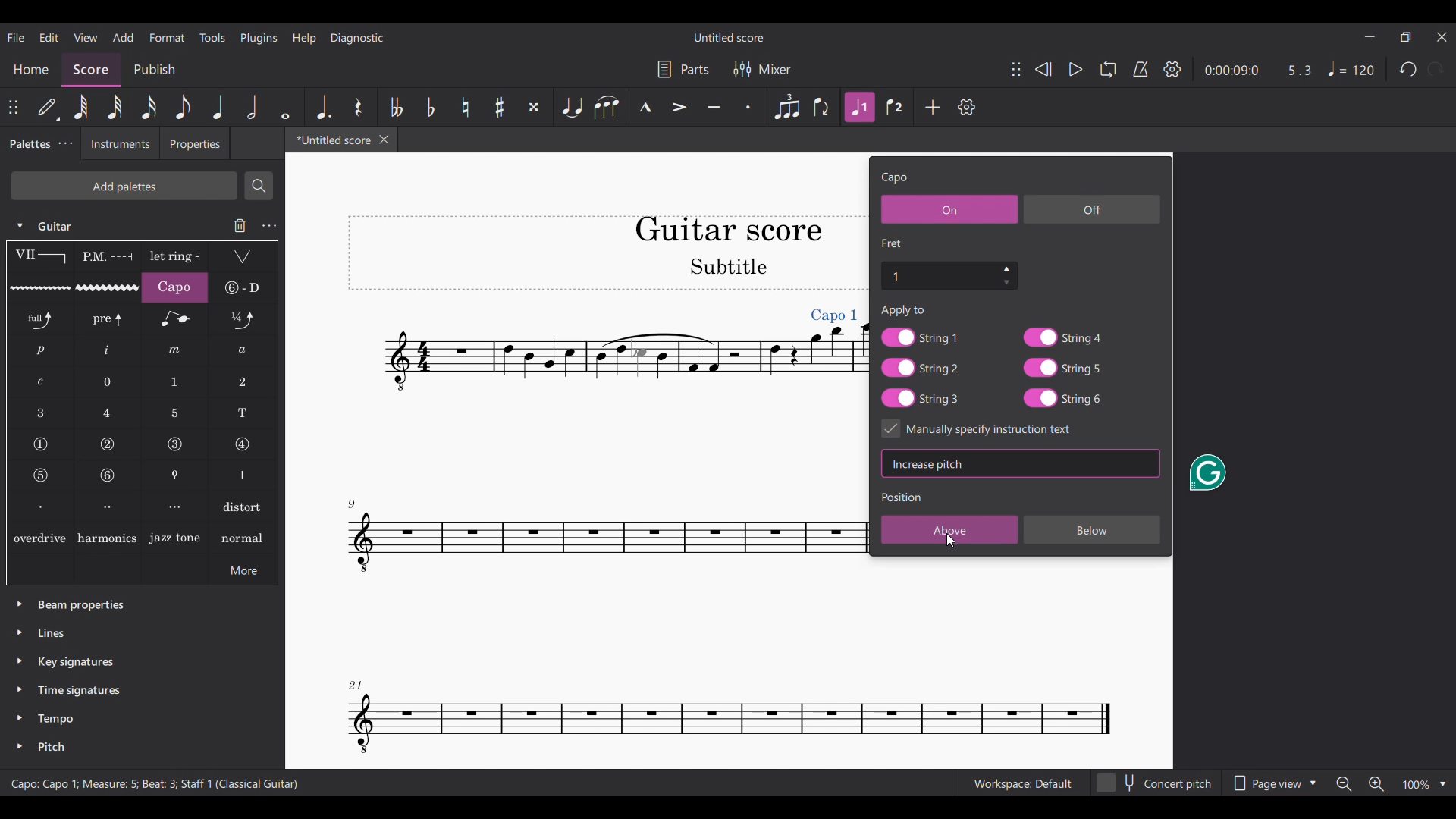  Describe the element at coordinates (357, 39) in the screenshot. I see `Diagnostic menu` at that location.